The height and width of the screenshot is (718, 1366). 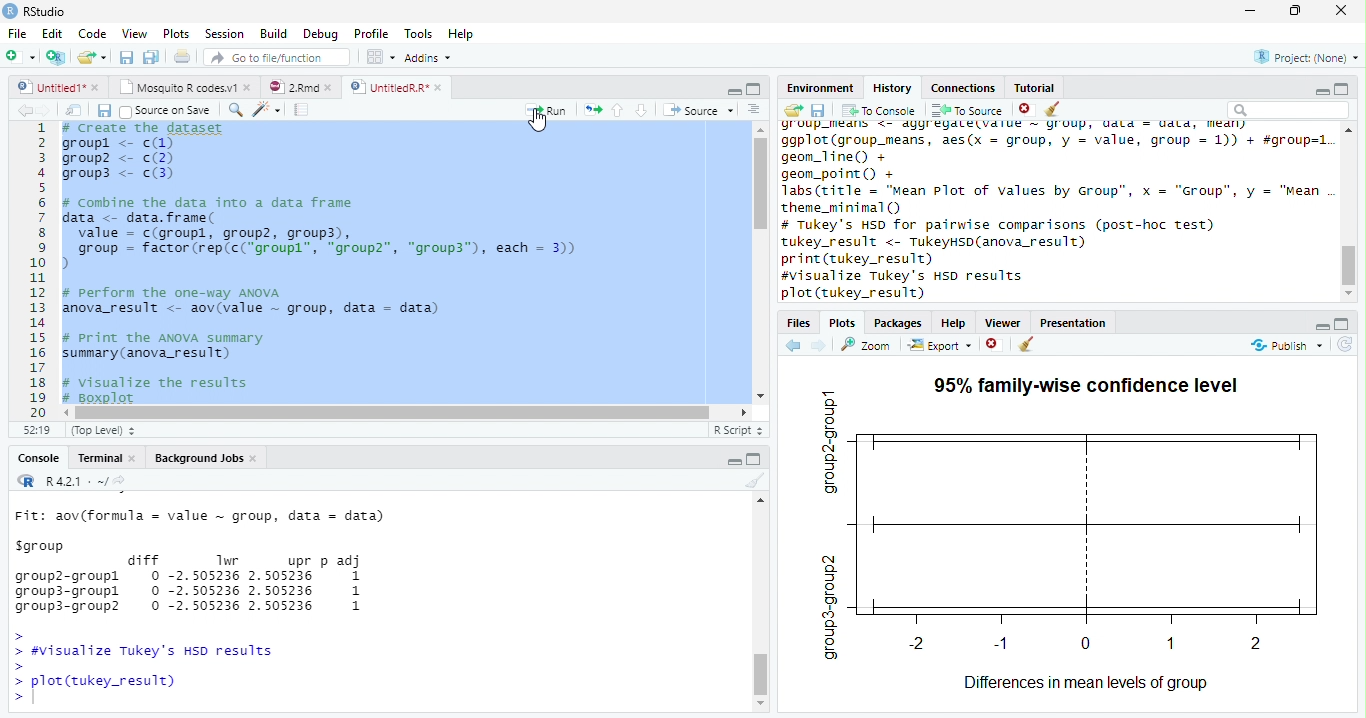 I want to click on Clear console, so click(x=759, y=483).